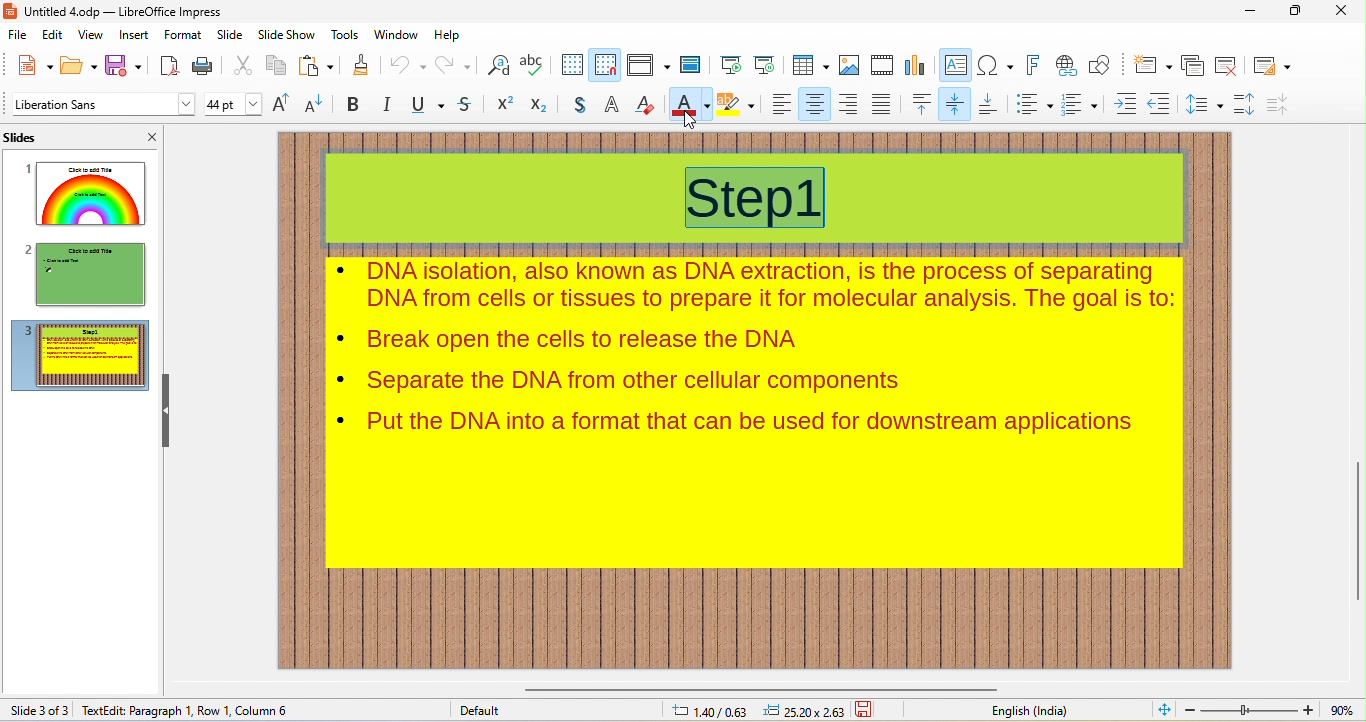 The image size is (1366, 722). Describe the element at coordinates (955, 67) in the screenshot. I see `text box` at that location.